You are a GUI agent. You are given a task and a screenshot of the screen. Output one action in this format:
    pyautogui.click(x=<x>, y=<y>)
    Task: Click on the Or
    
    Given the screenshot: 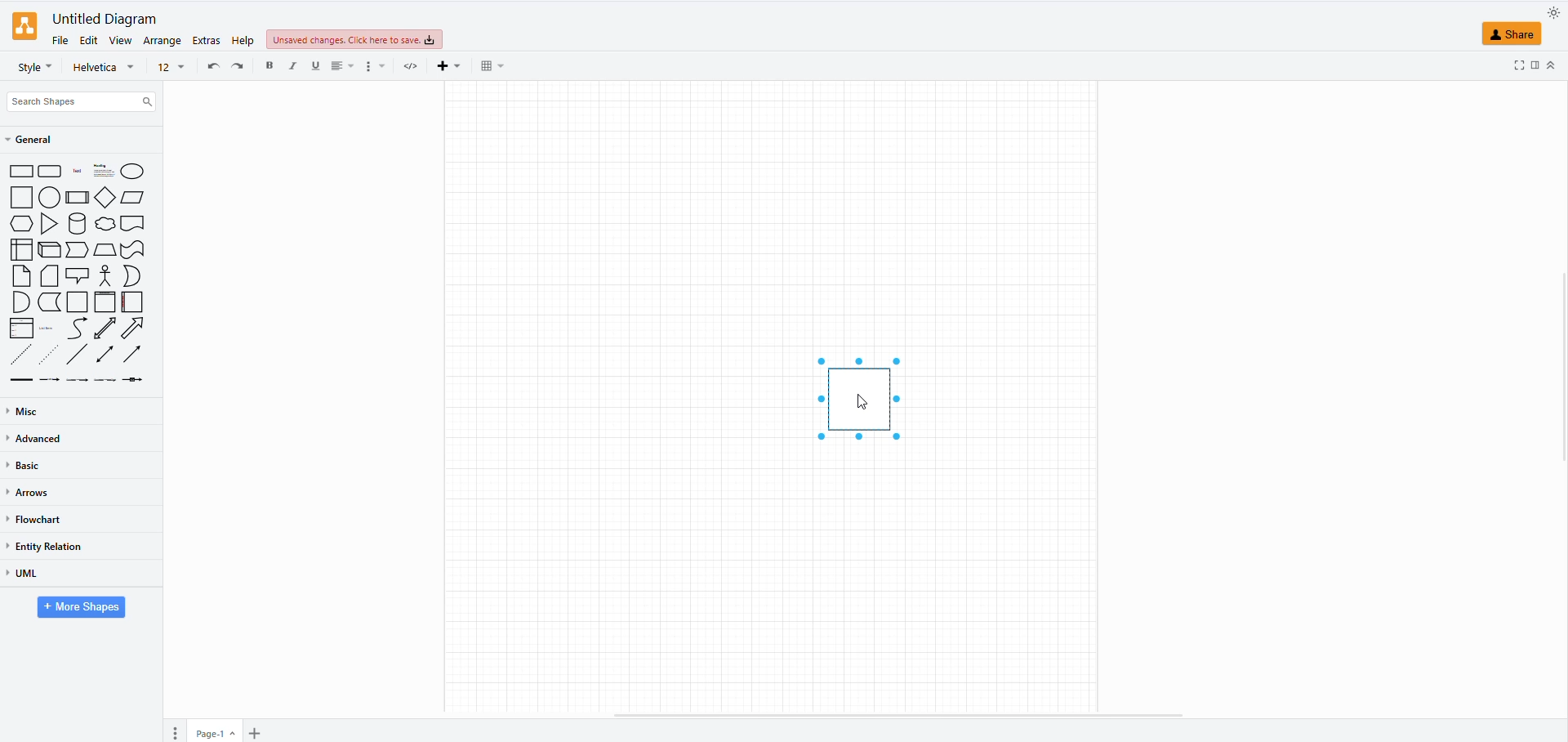 What is the action you would take?
    pyautogui.click(x=132, y=275)
    